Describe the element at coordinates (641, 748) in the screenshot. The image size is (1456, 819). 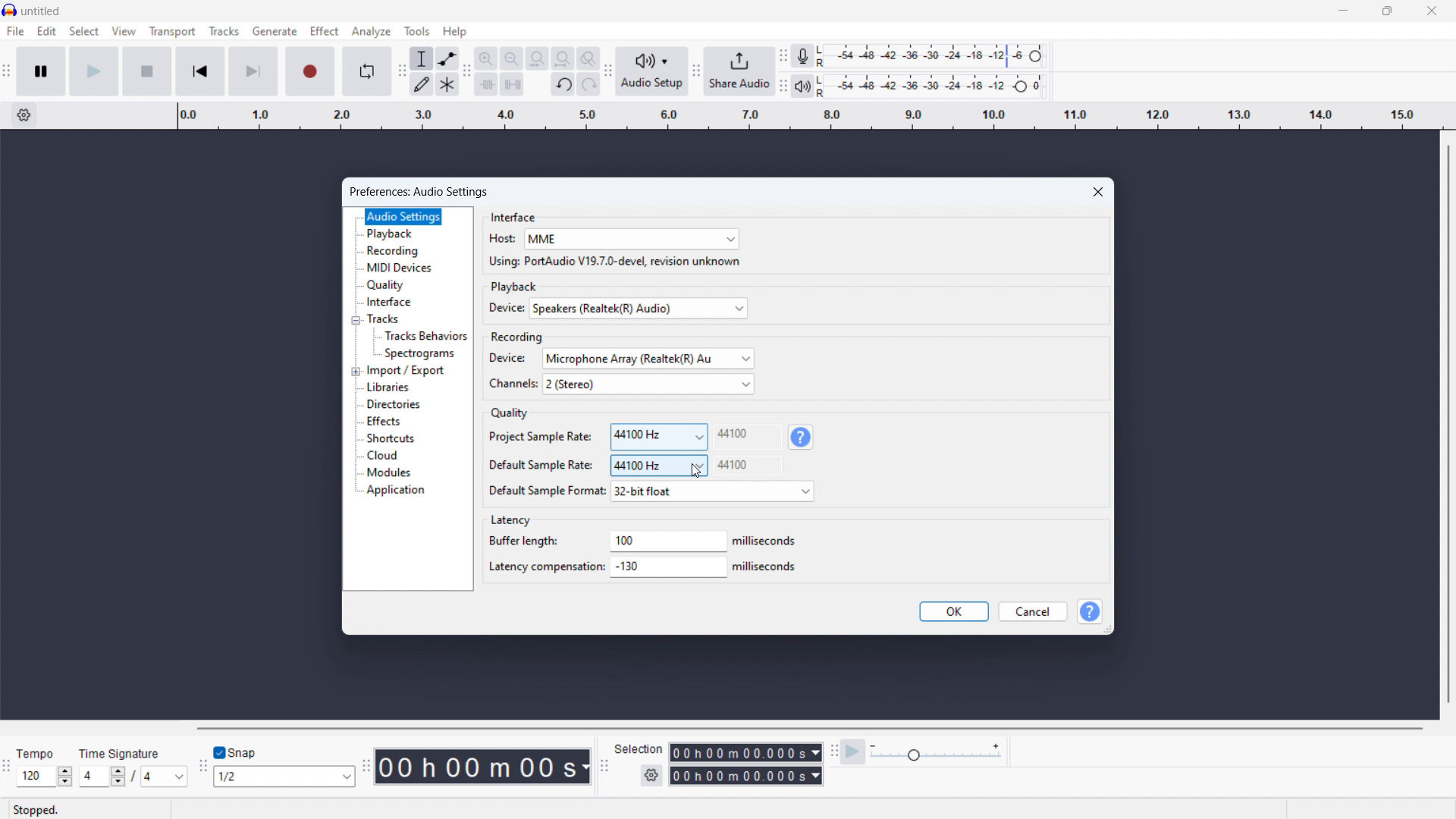
I see `Selection` at that location.